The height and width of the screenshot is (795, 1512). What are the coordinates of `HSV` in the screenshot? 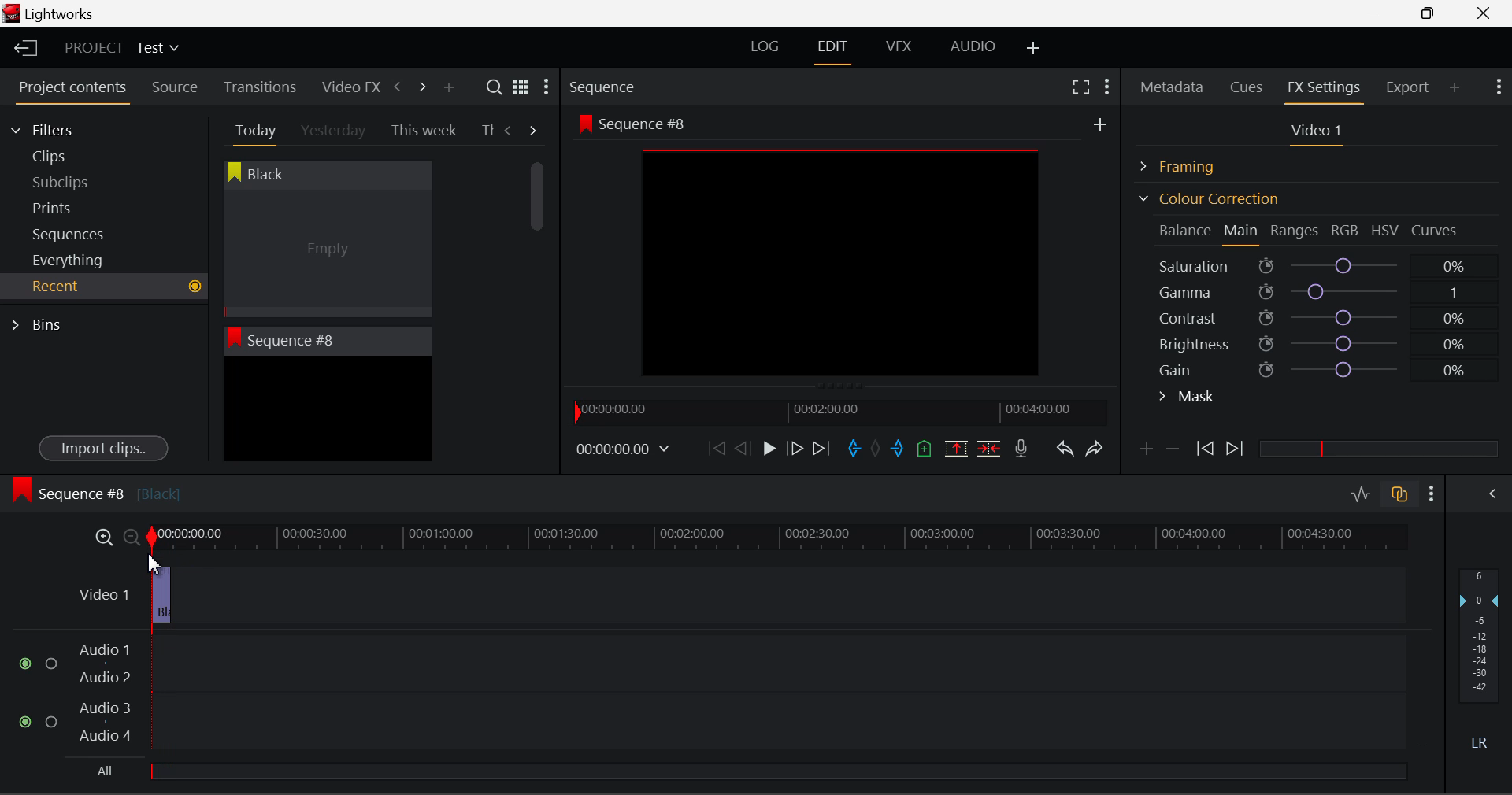 It's located at (1385, 230).